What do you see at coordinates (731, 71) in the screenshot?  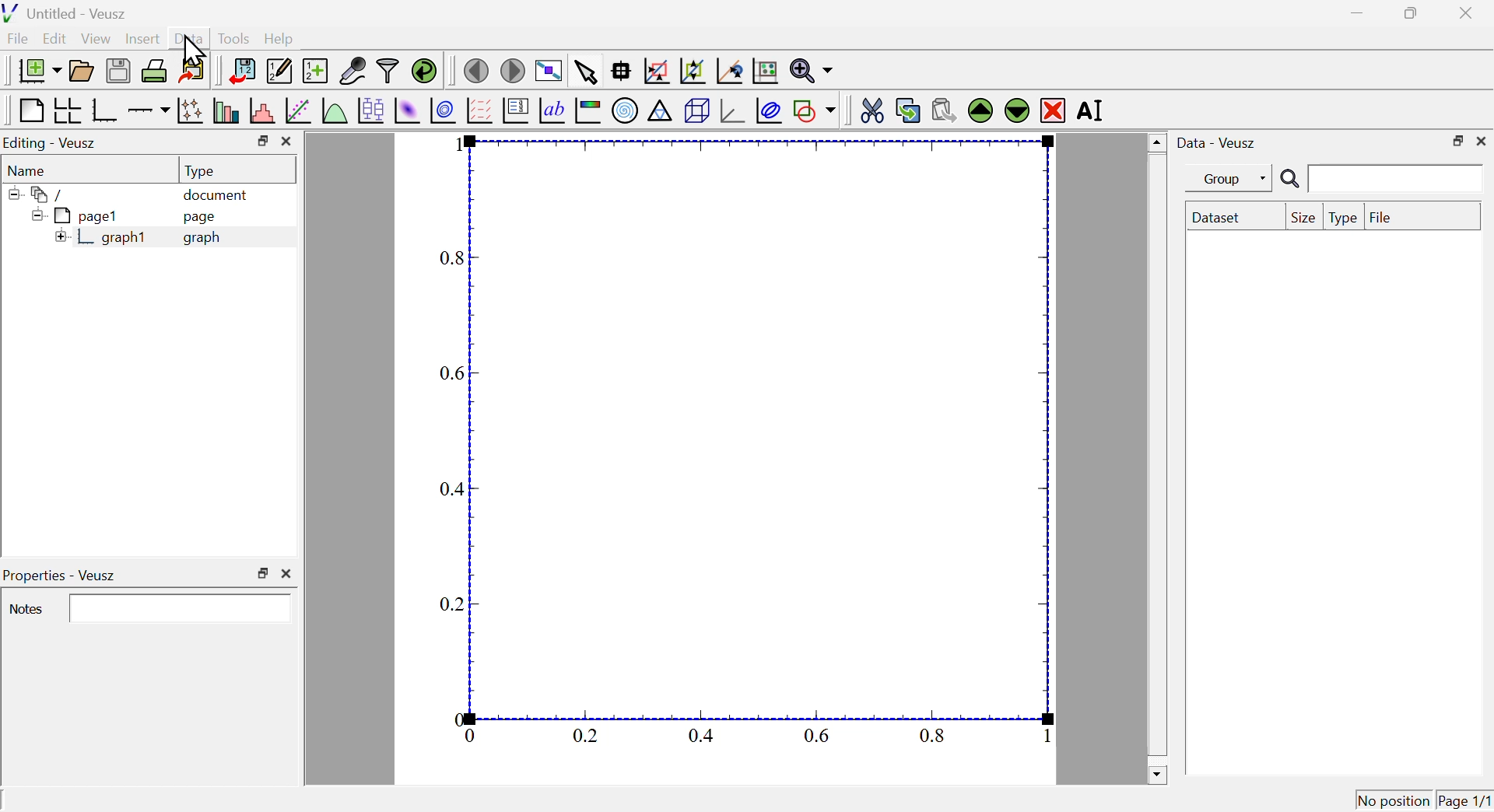 I see `recenter graph axes` at bounding box center [731, 71].